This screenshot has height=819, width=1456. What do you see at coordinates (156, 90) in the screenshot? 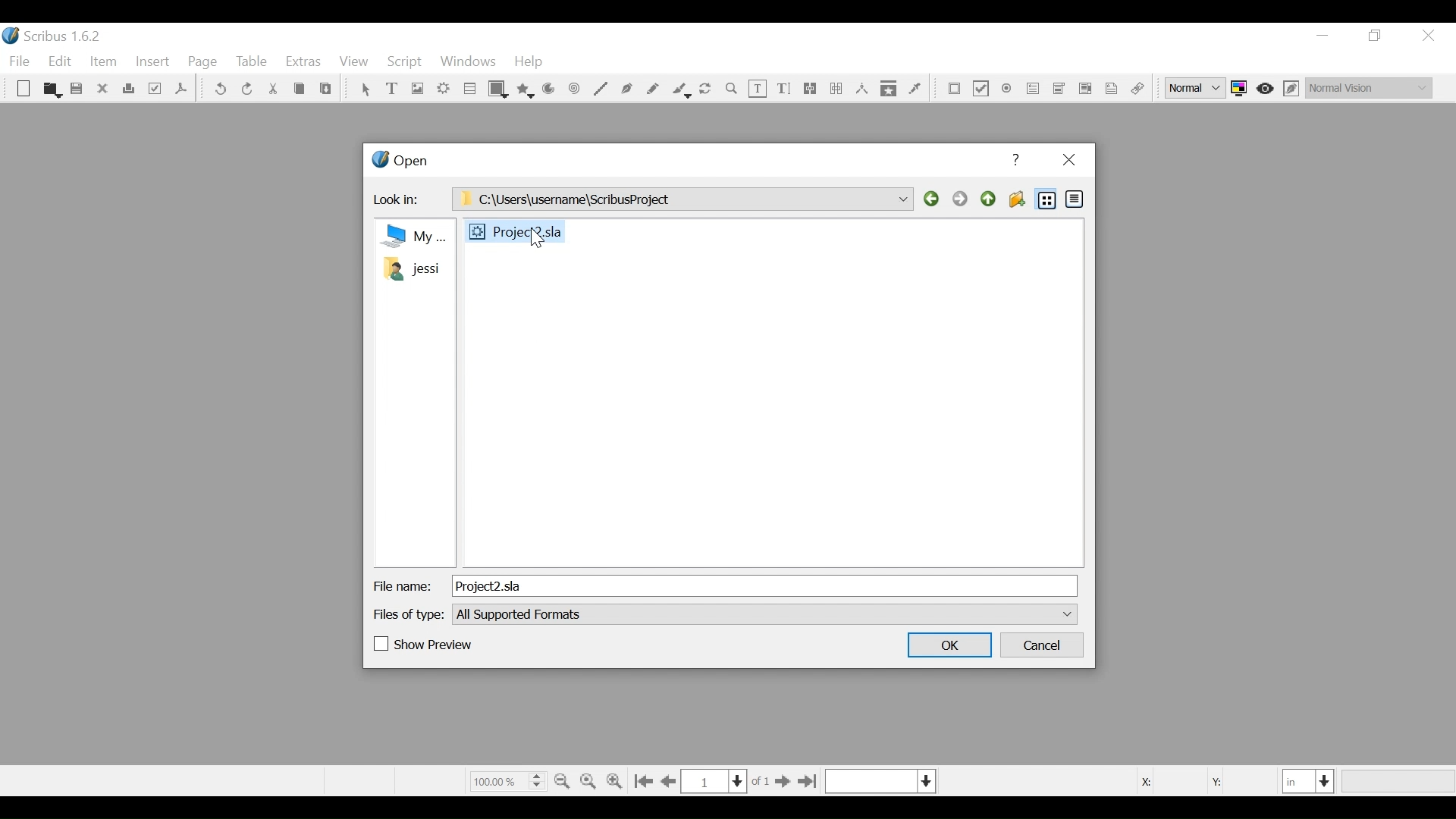
I see `Preflight Verifier` at bounding box center [156, 90].